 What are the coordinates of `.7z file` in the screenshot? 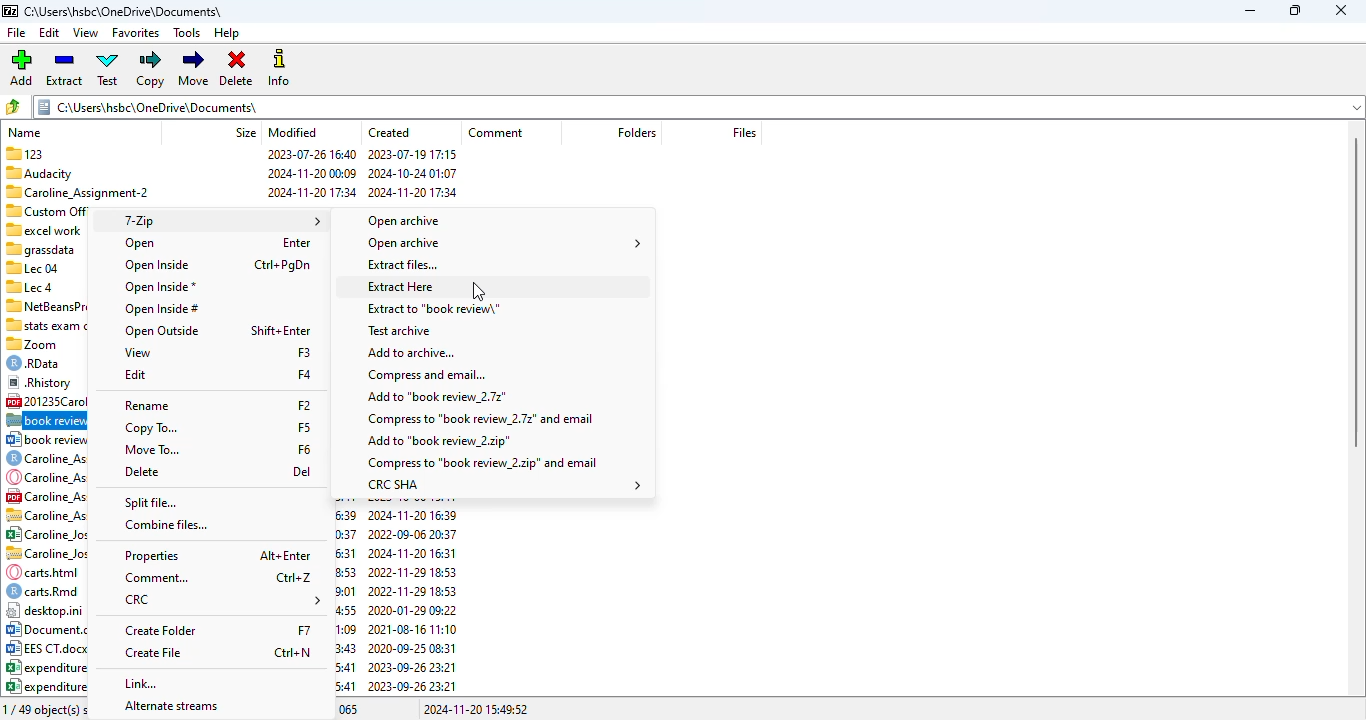 It's located at (45, 421).